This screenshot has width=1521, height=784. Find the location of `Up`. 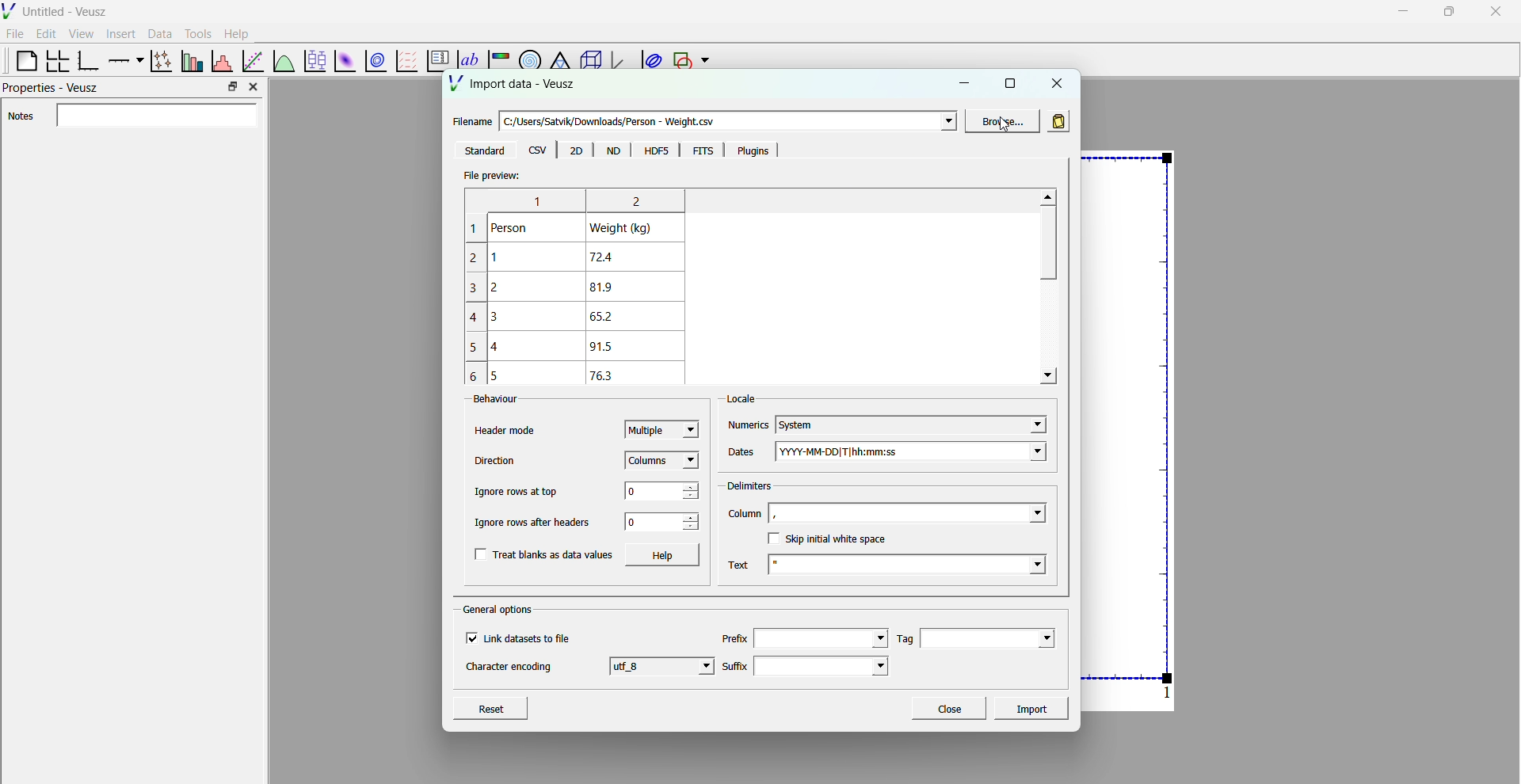

Up is located at coordinates (1047, 197).